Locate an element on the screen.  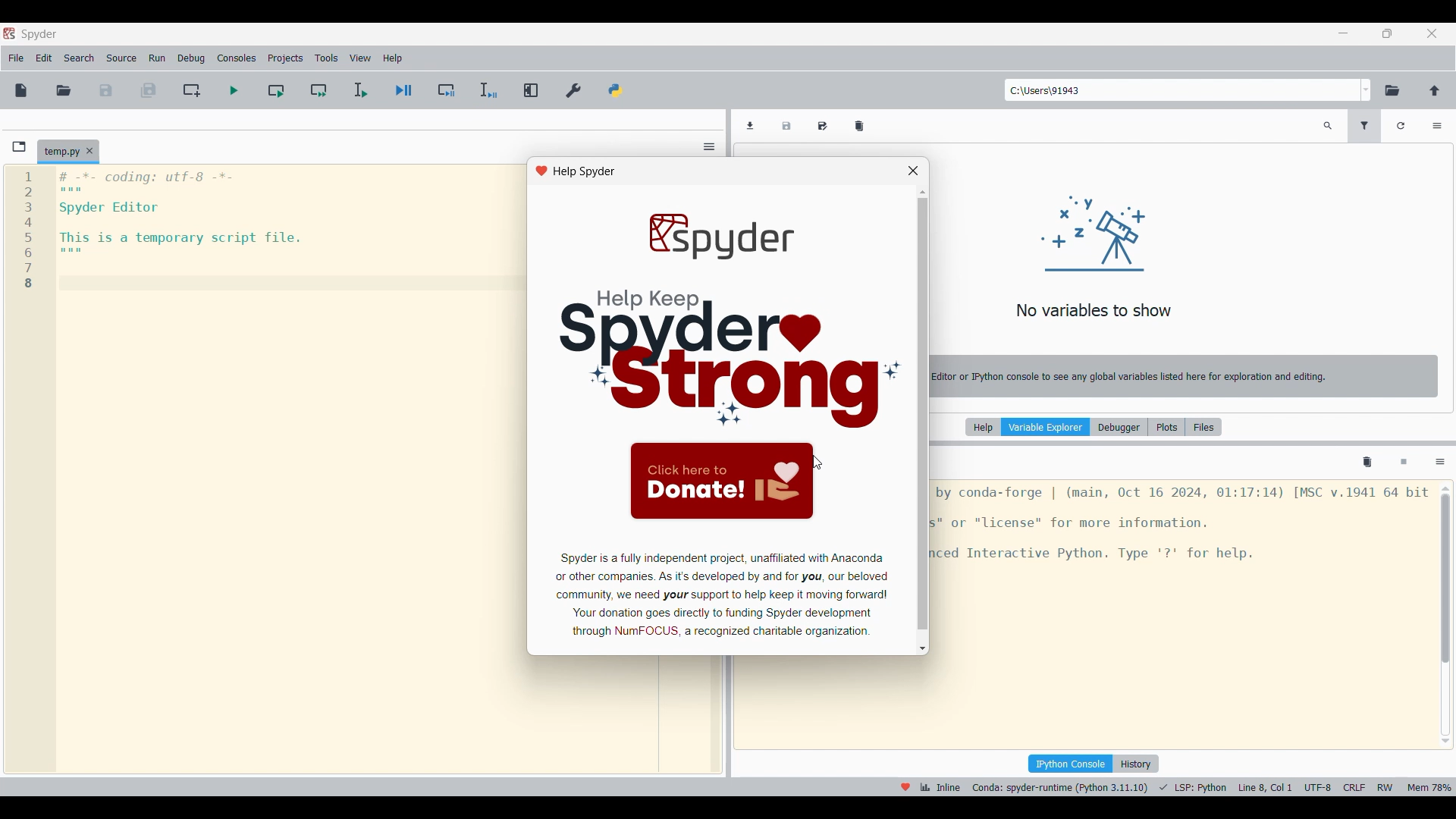
Save file is located at coordinates (107, 90).